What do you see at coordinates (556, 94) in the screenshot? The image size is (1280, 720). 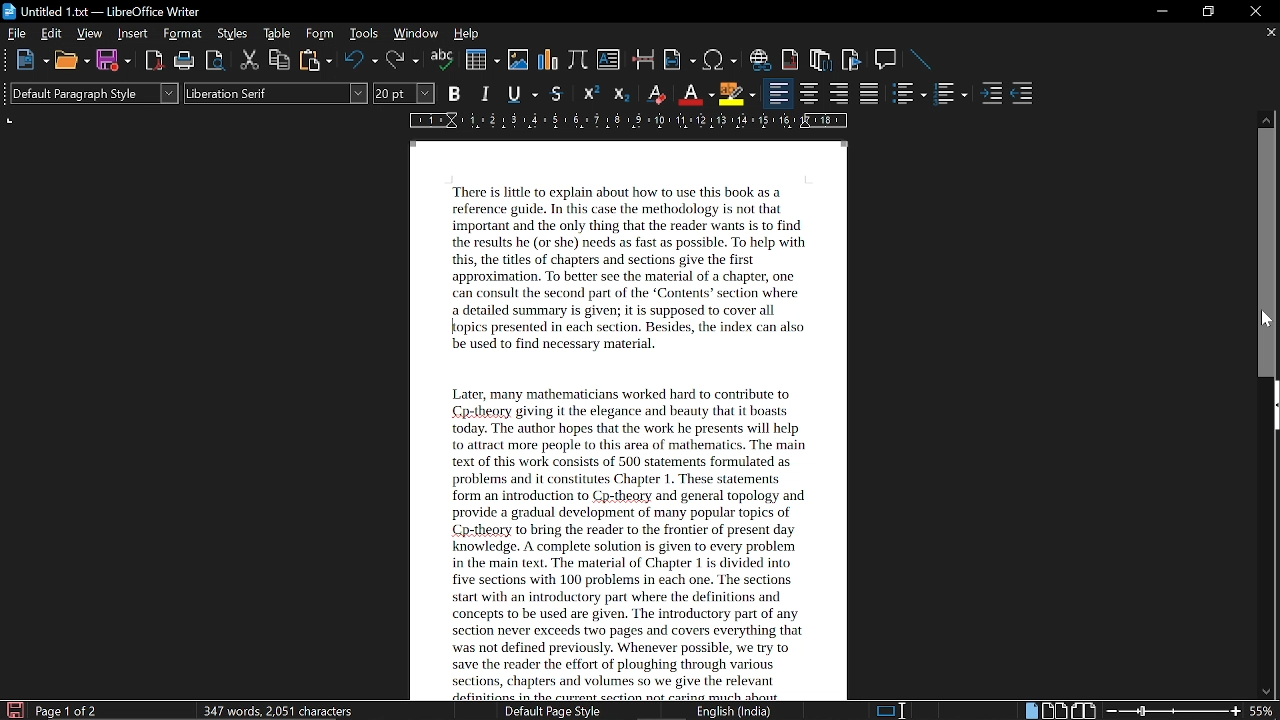 I see `strikethrough` at bounding box center [556, 94].